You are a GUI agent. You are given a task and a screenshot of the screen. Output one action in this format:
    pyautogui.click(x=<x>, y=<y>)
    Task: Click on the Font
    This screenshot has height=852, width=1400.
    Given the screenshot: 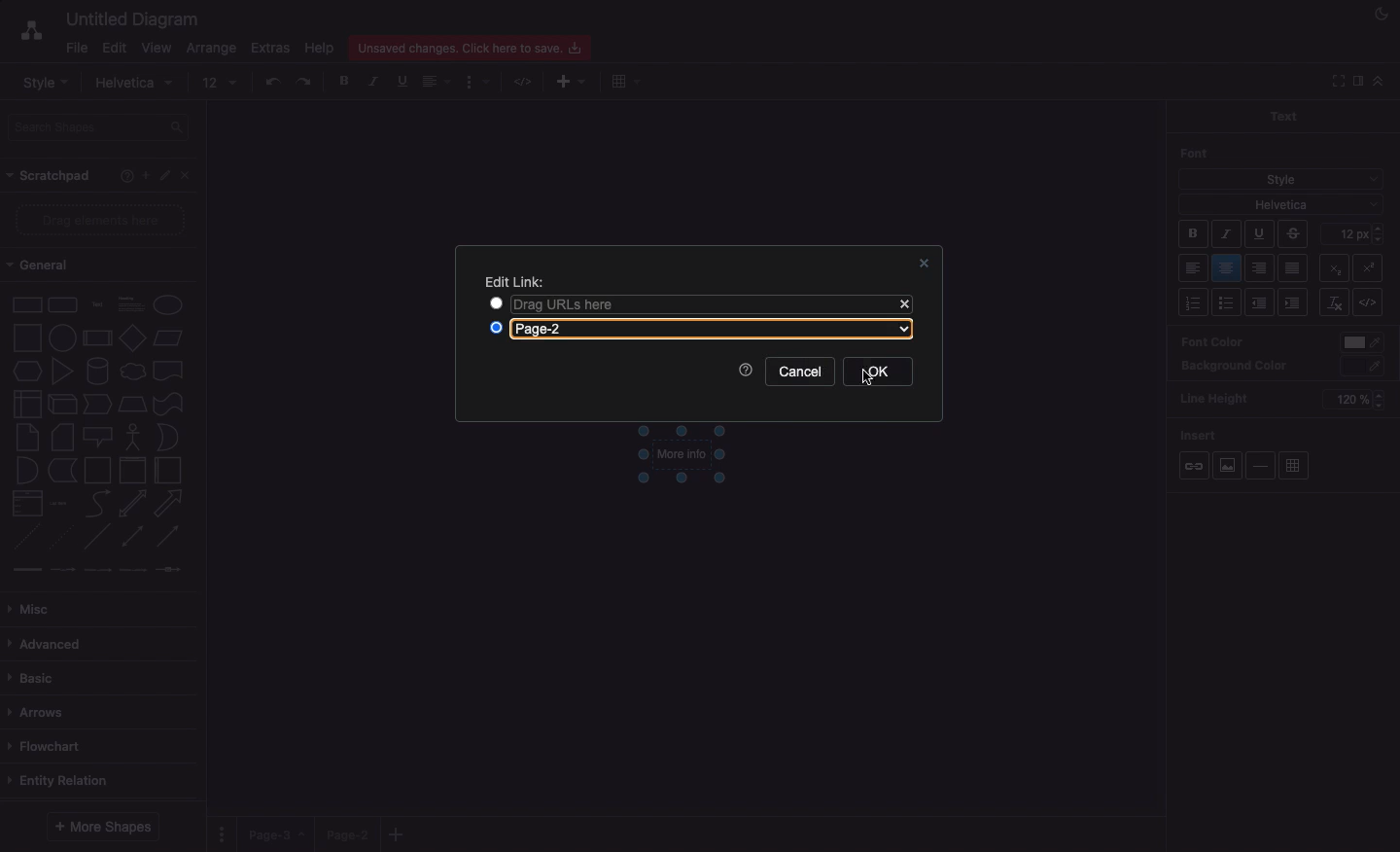 What is the action you would take?
    pyautogui.click(x=1196, y=153)
    